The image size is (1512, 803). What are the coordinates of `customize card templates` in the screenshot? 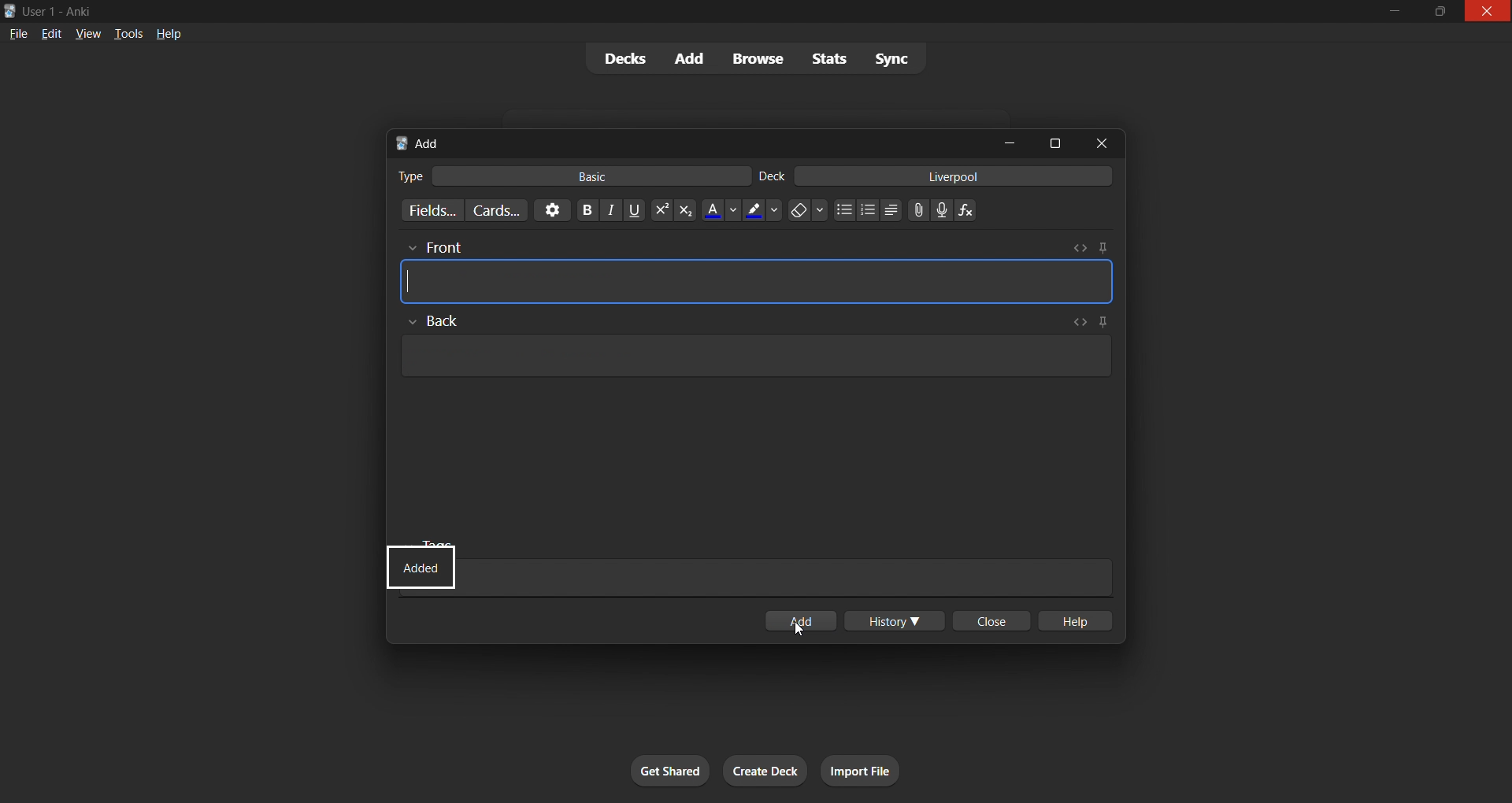 It's located at (497, 212).